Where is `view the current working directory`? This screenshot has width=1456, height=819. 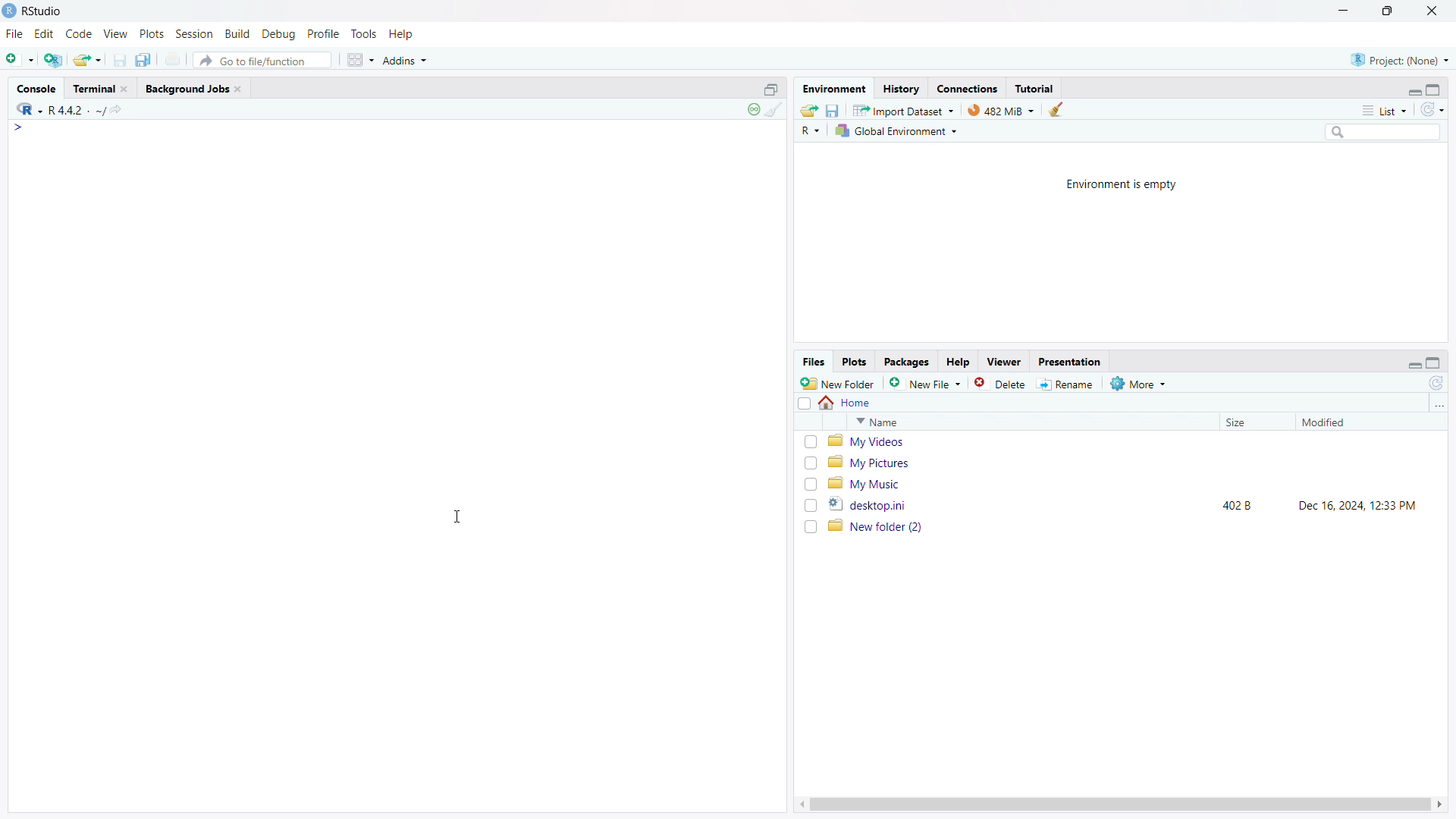 view the current working directory is located at coordinates (119, 108).